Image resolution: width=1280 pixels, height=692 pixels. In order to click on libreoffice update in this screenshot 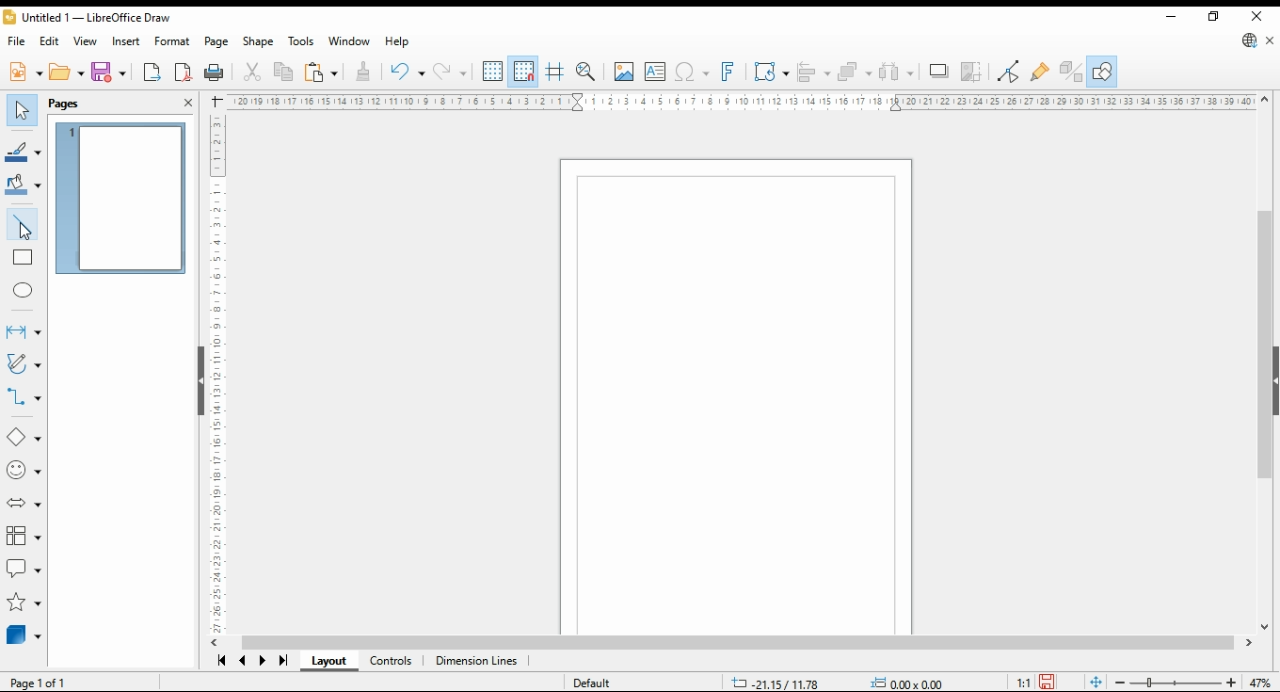, I will do `click(1248, 41)`.